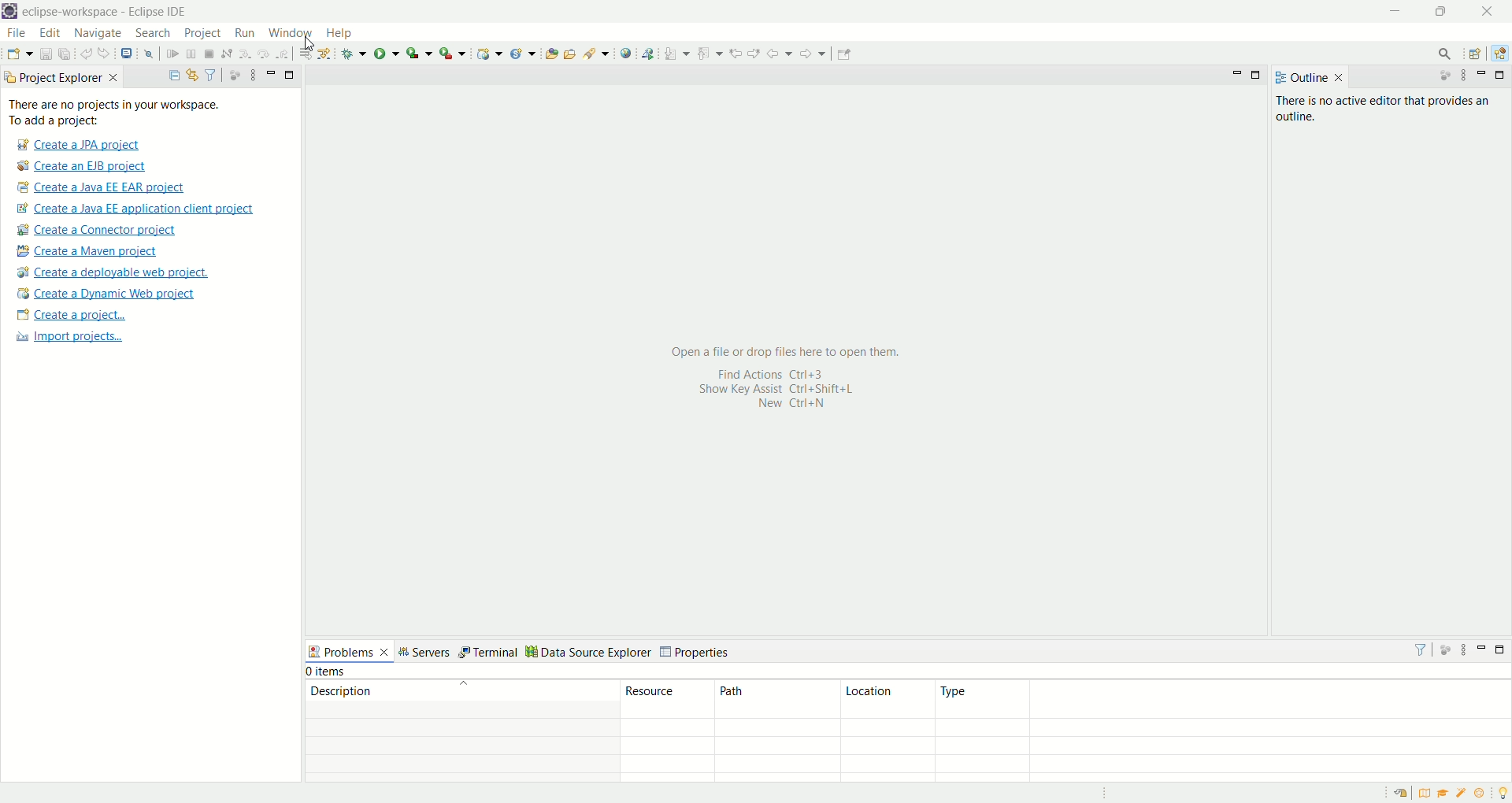 Image resolution: width=1512 pixels, height=803 pixels. I want to click on minimize, so click(269, 73).